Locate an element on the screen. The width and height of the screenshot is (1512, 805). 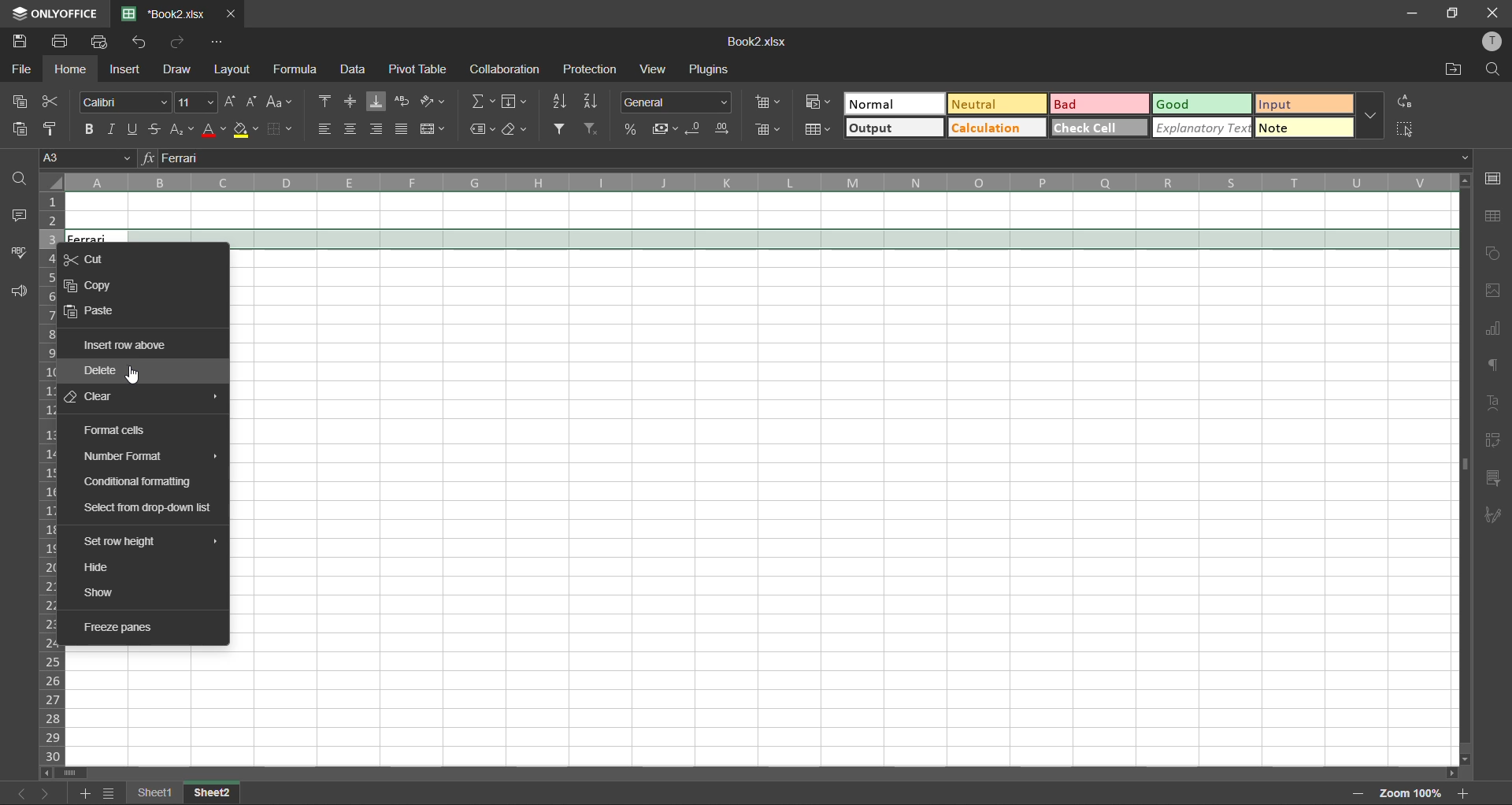
save is located at coordinates (17, 43).